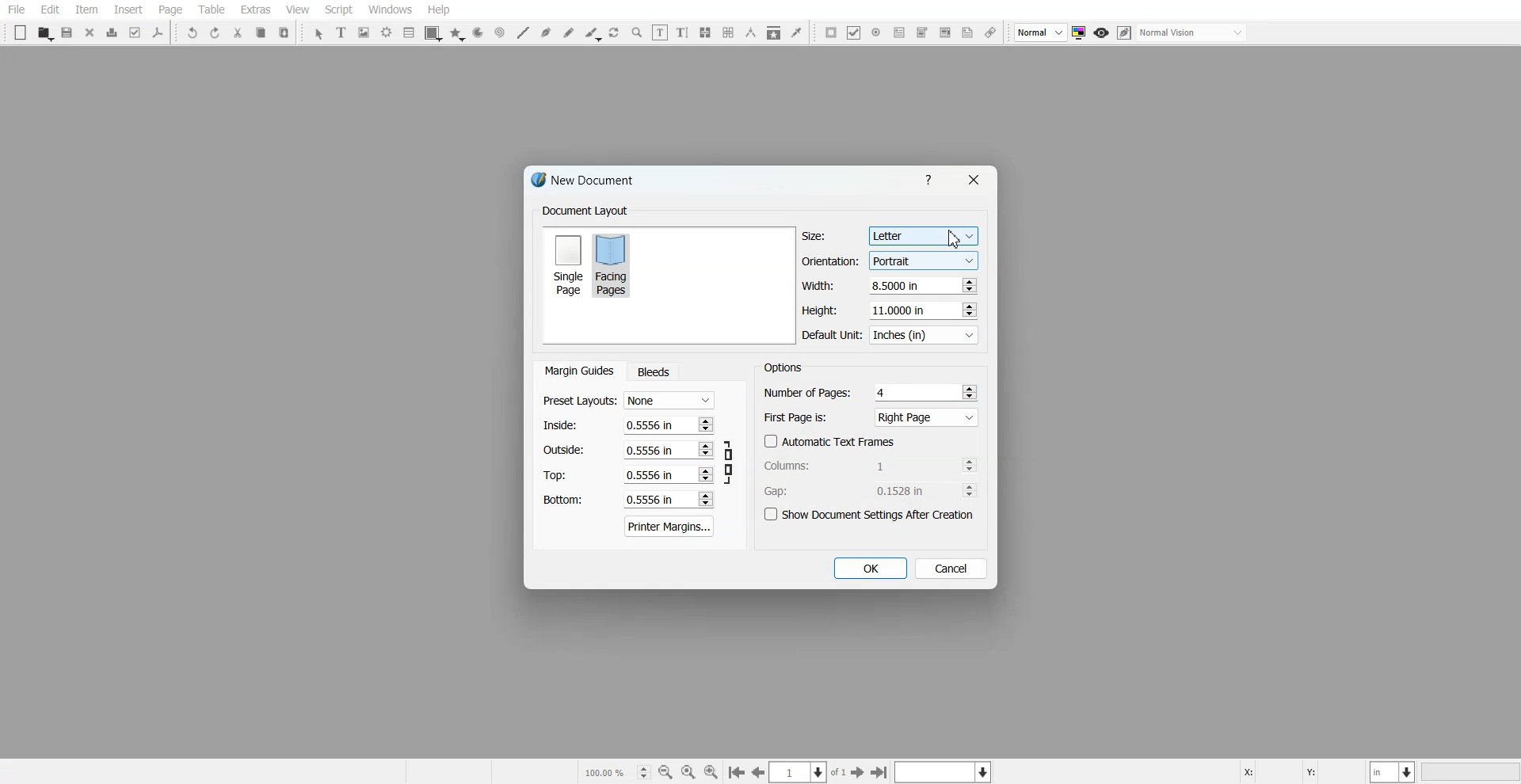 This screenshot has height=784, width=1521. I want to click on Close, so click(90, 32).